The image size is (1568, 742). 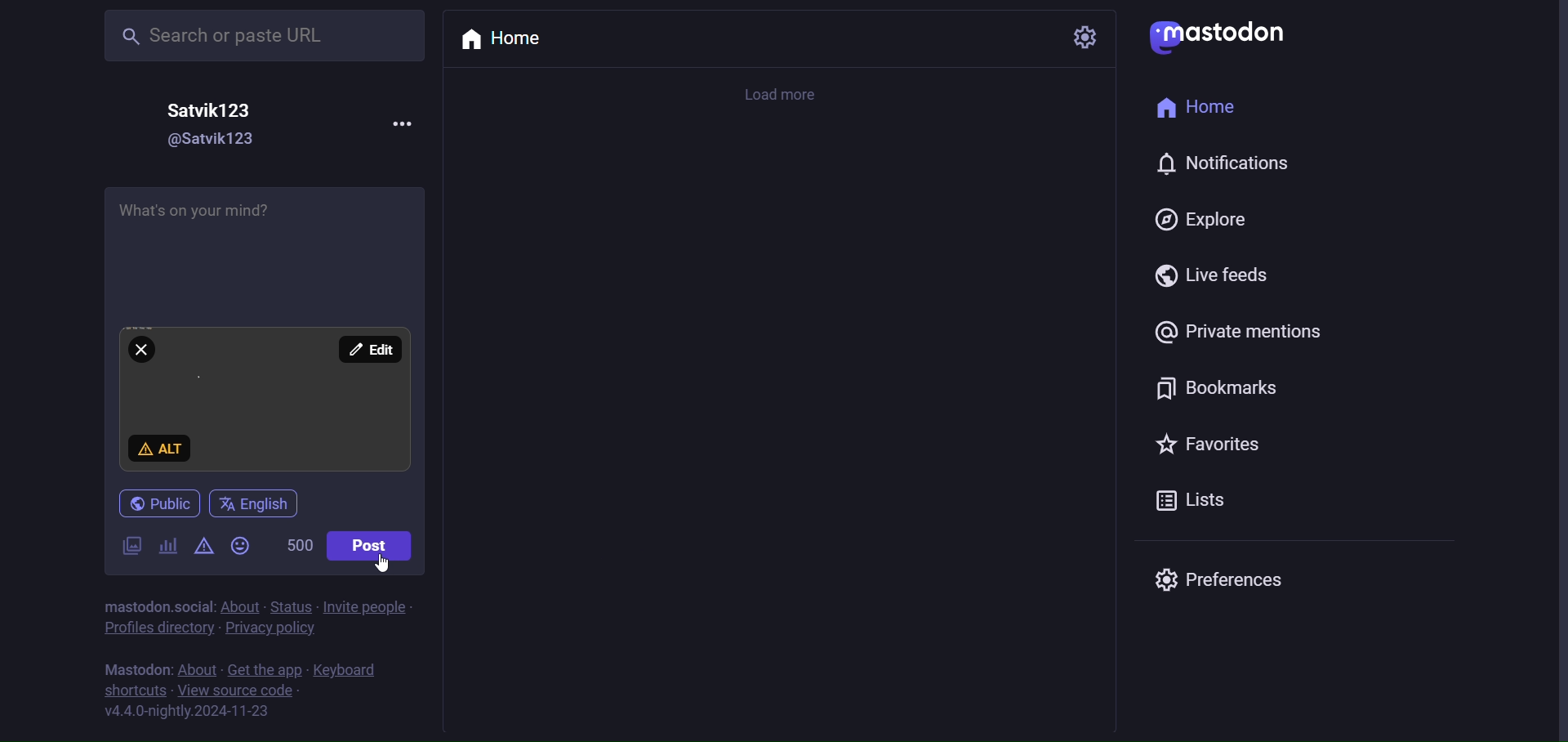 What do you see at coordinates (212, 110) in the screenshot?
I see `Satvik123` at bounding box center [212, 110].